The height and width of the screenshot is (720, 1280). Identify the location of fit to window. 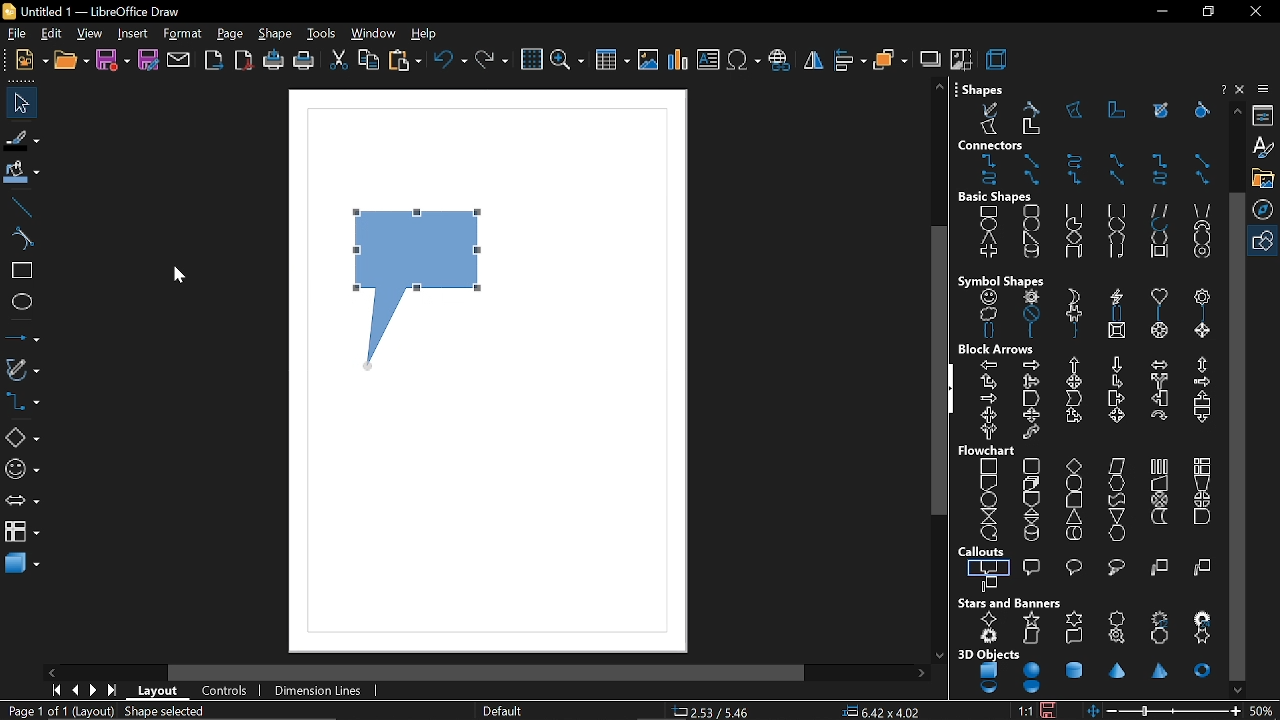
(1095, 711).